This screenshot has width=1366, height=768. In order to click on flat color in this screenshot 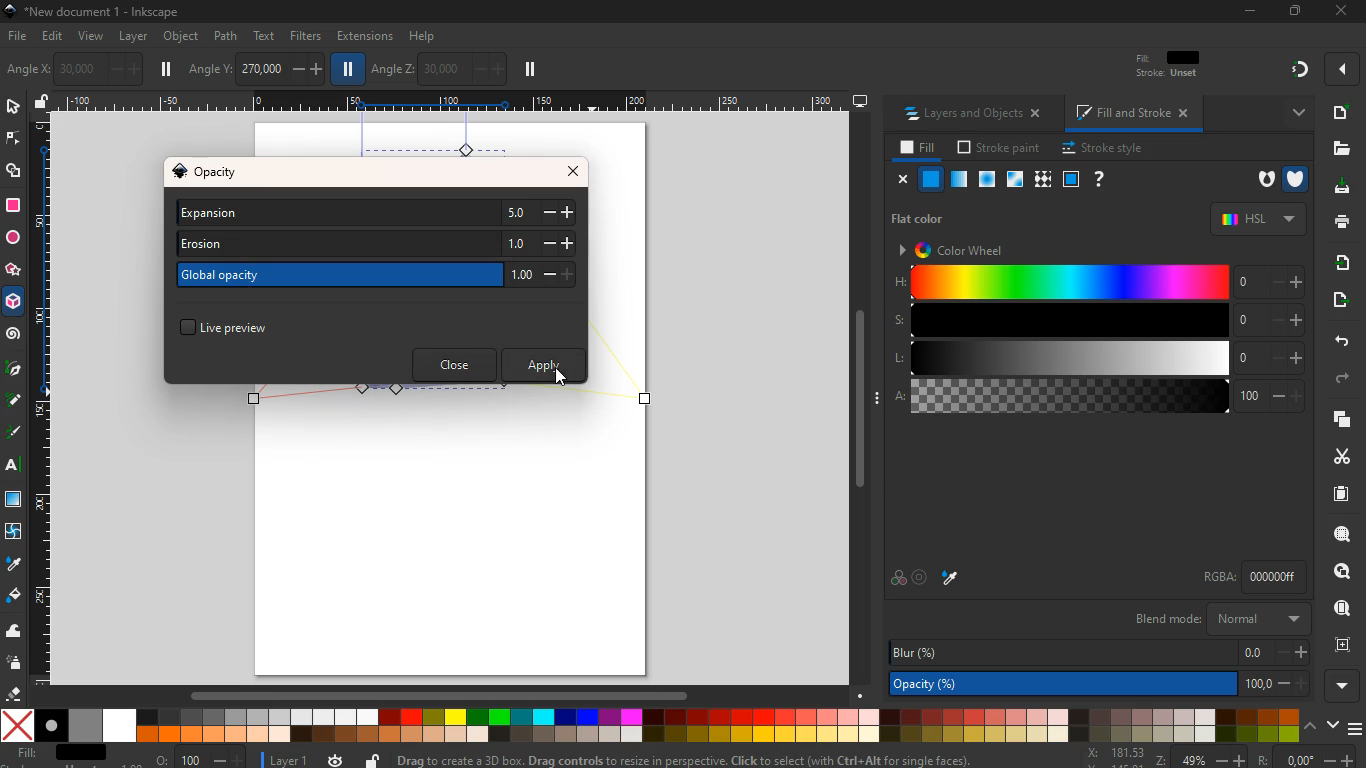, I will do `click(924, 218)`.